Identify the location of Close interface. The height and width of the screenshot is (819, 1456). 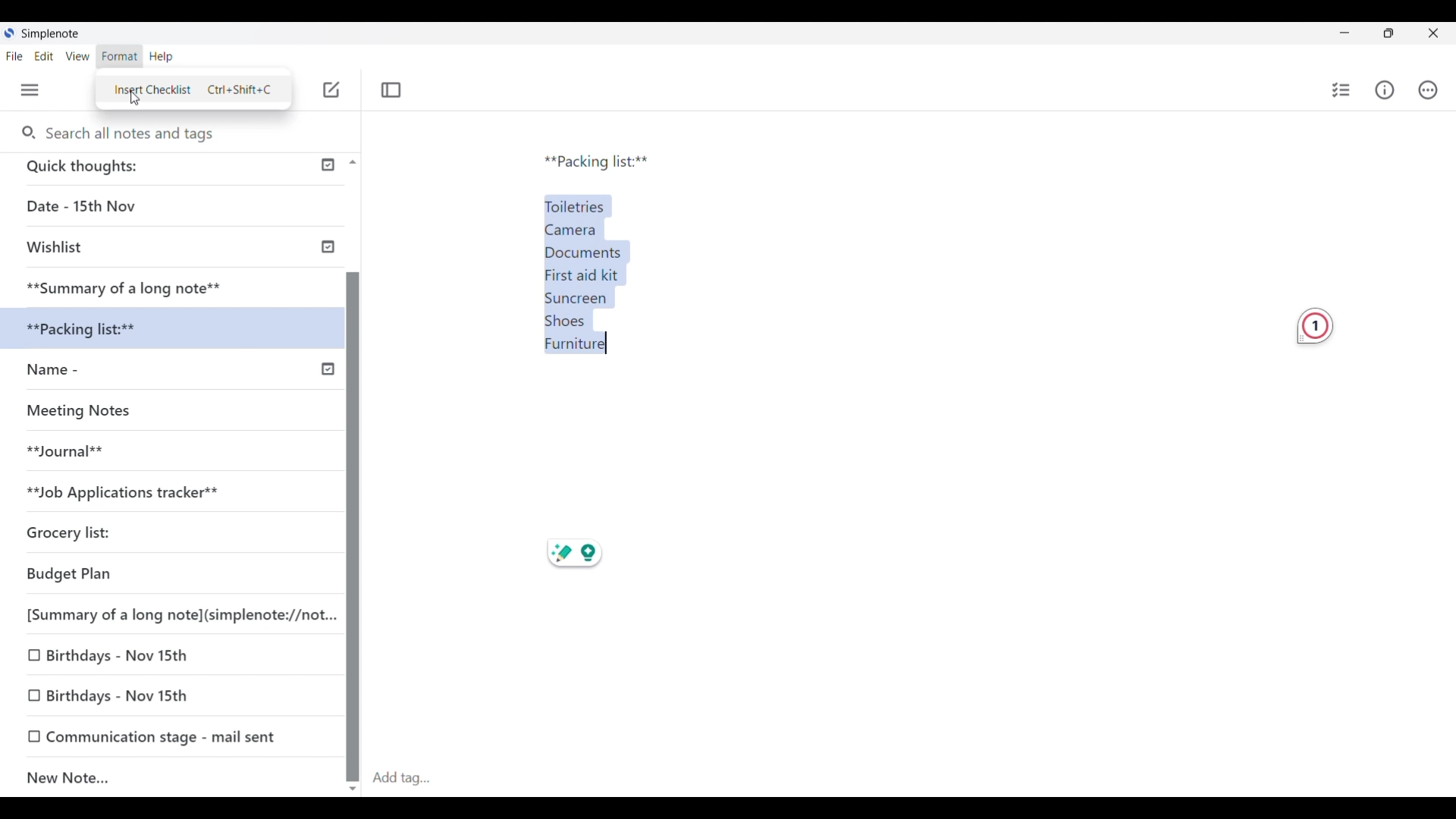
(1433, 33).